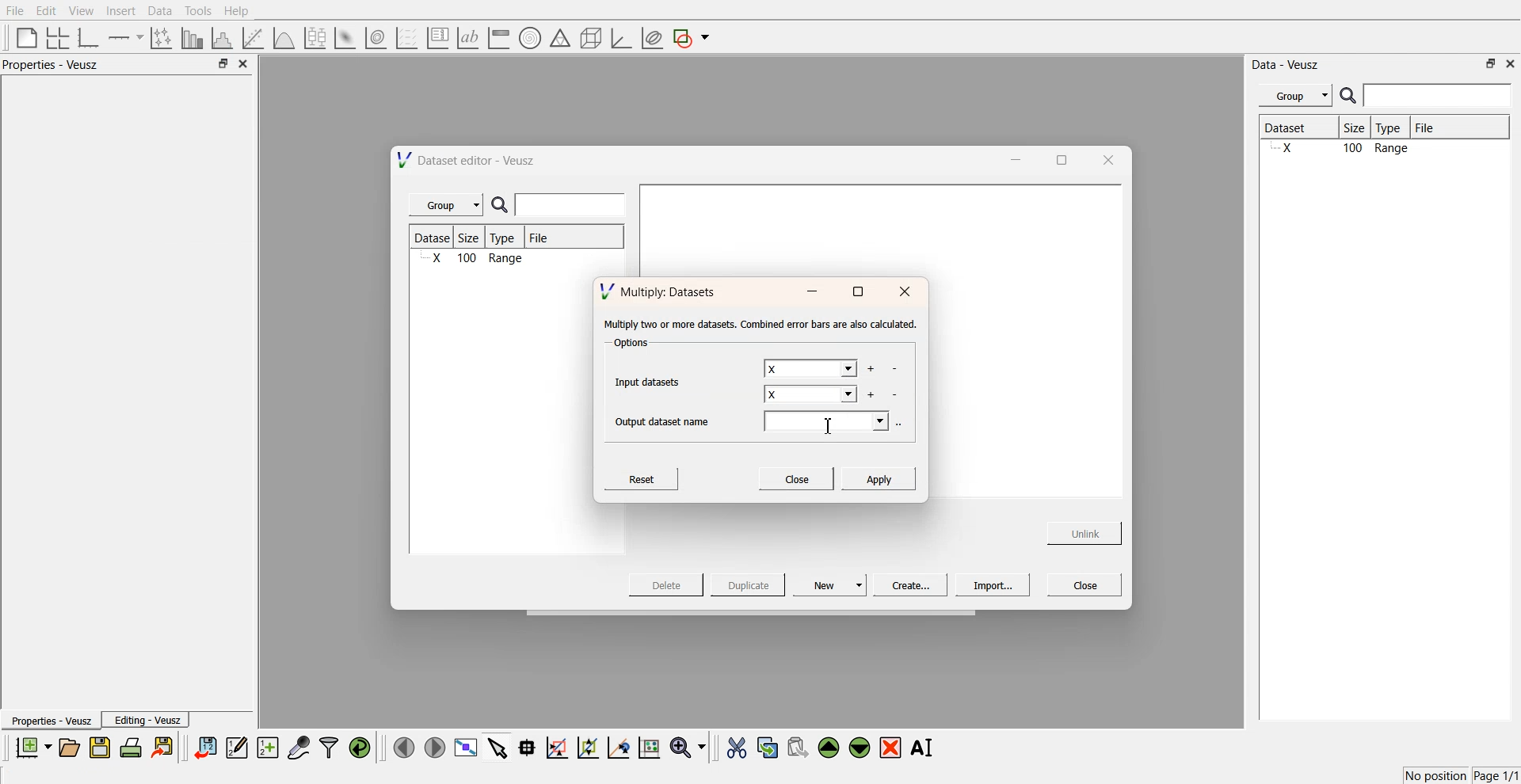  Describe the element at coordinates (160, 37) in the screenshot. I see `plot points with non-orthogonal axes` at that location.